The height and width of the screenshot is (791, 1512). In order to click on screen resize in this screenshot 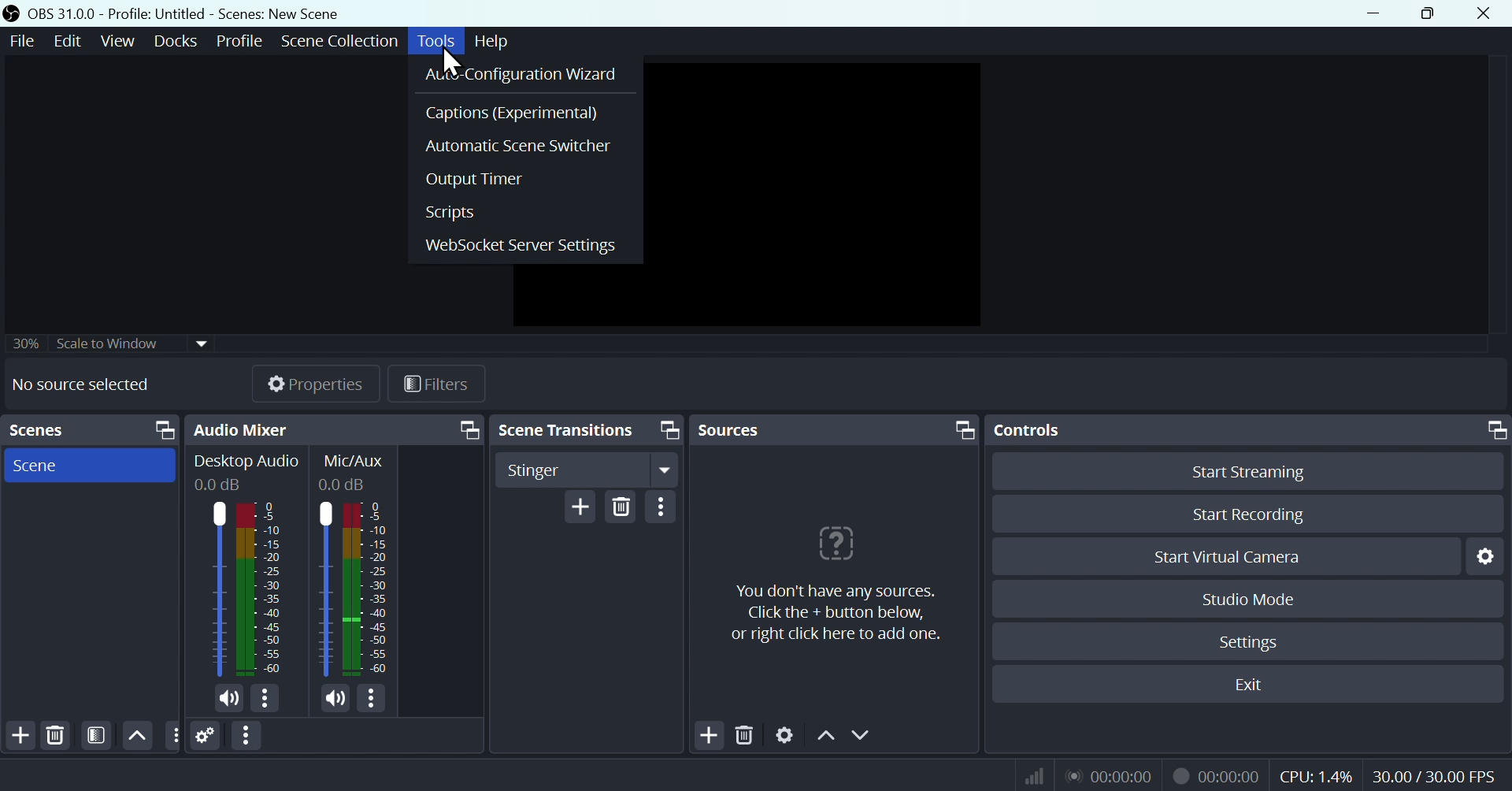, I will do `click(1492, 430)`.